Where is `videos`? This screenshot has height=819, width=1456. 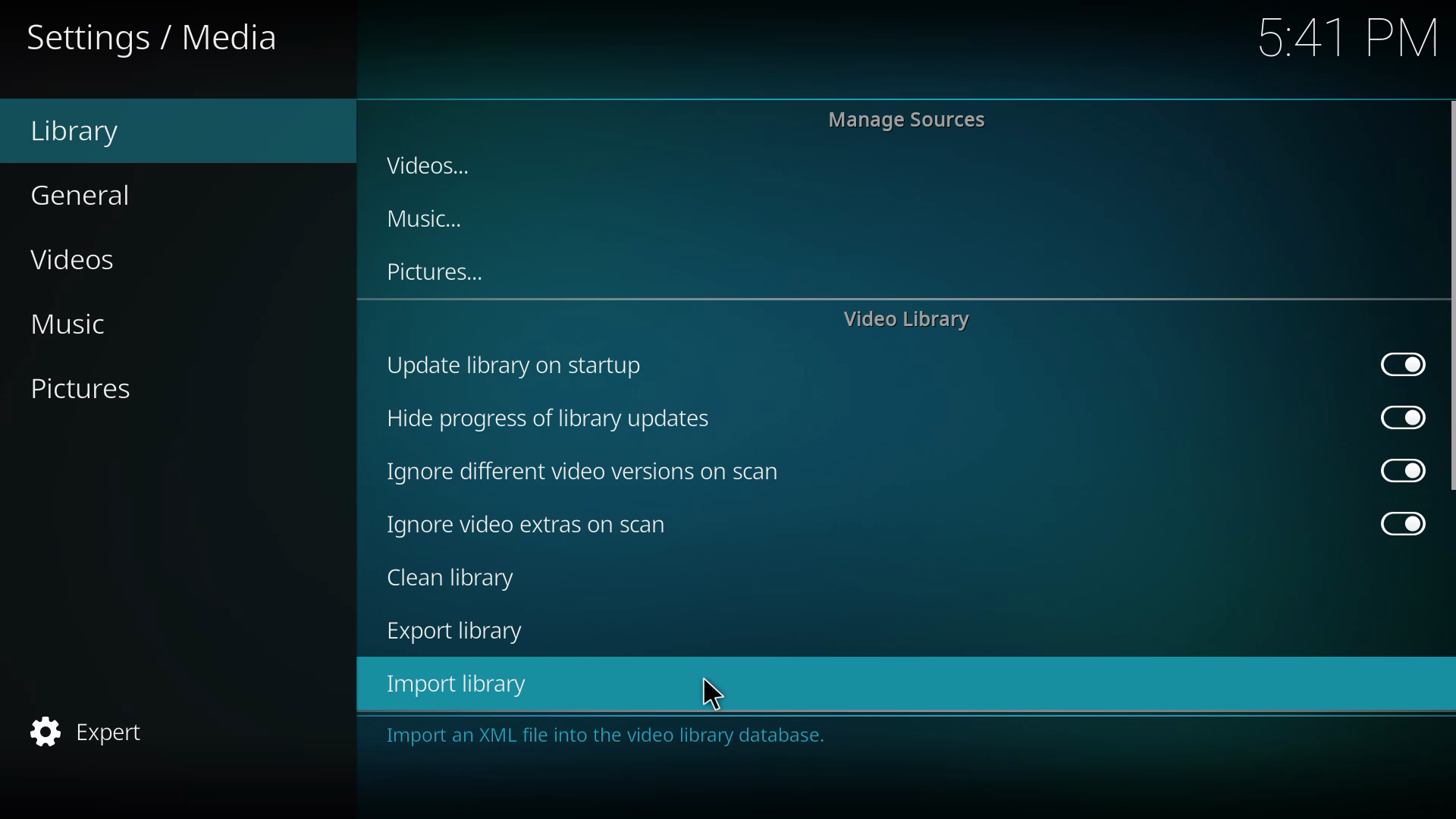 videos is located at coordinates (431, 167).